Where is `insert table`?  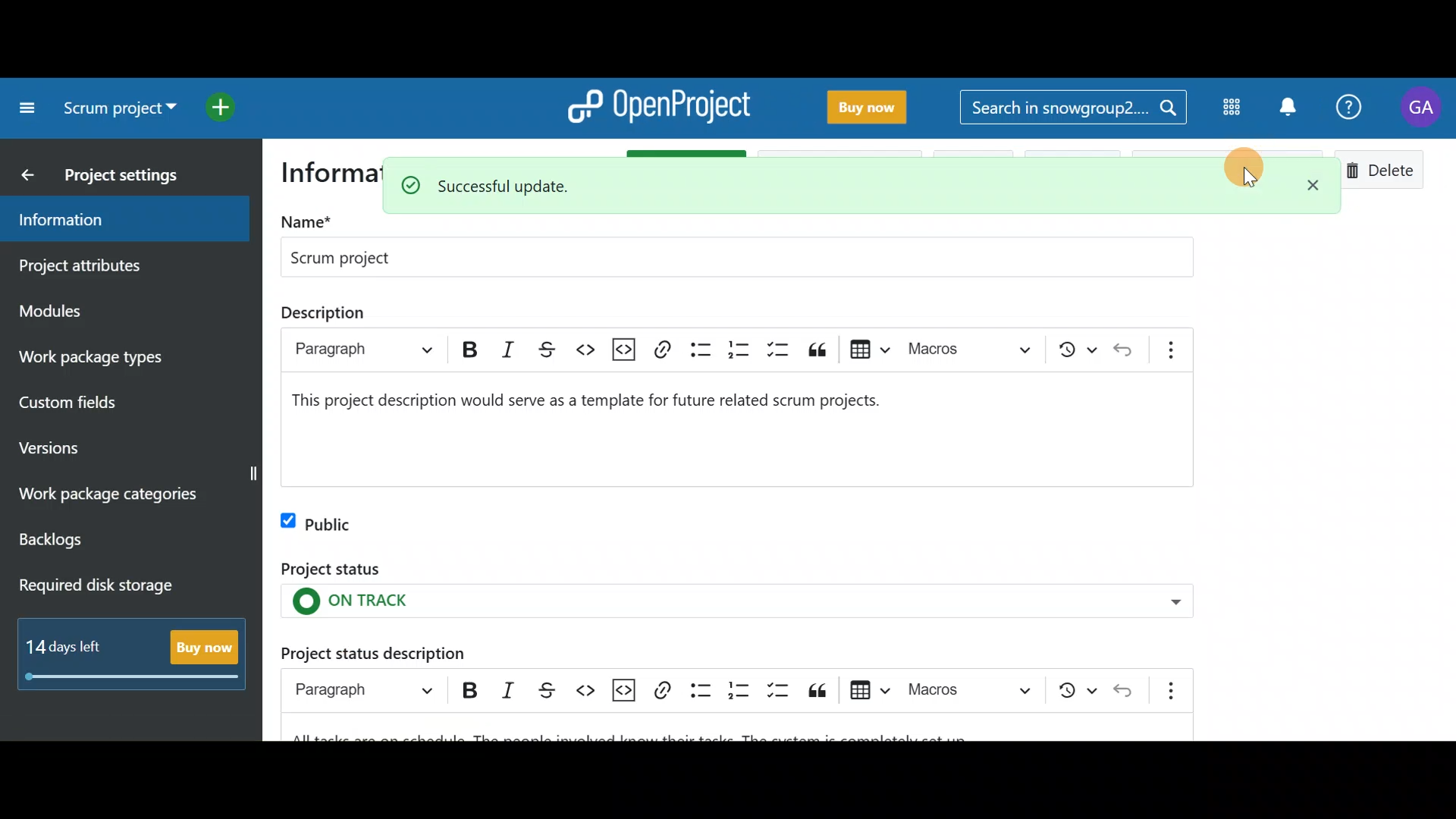
insert table is located at coordinates (871, 349).